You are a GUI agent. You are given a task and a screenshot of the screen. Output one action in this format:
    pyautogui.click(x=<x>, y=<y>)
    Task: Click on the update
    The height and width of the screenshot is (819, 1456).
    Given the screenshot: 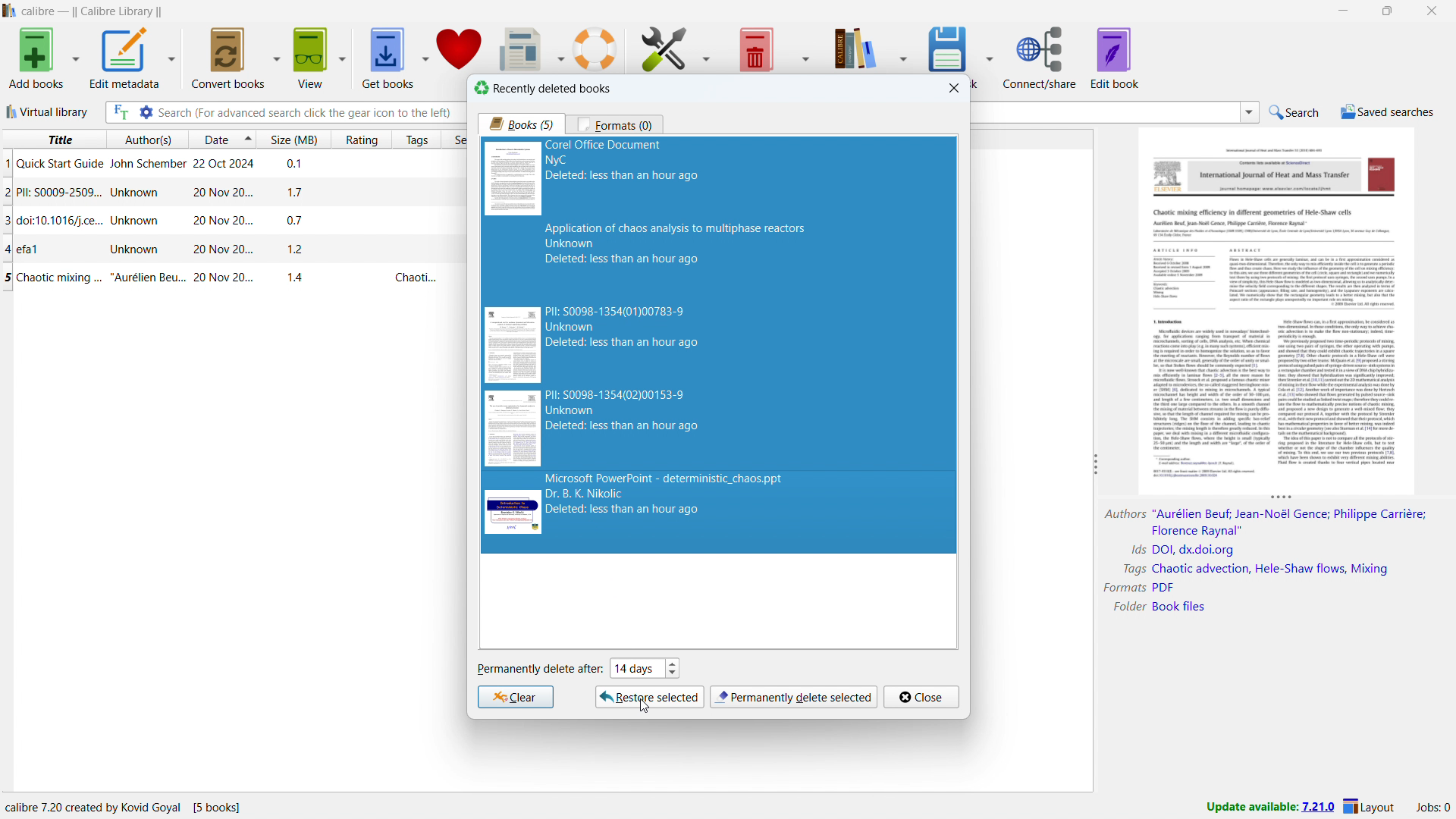 What is the action you would take?
    pyautogui.click(x=1269, y=808)
    